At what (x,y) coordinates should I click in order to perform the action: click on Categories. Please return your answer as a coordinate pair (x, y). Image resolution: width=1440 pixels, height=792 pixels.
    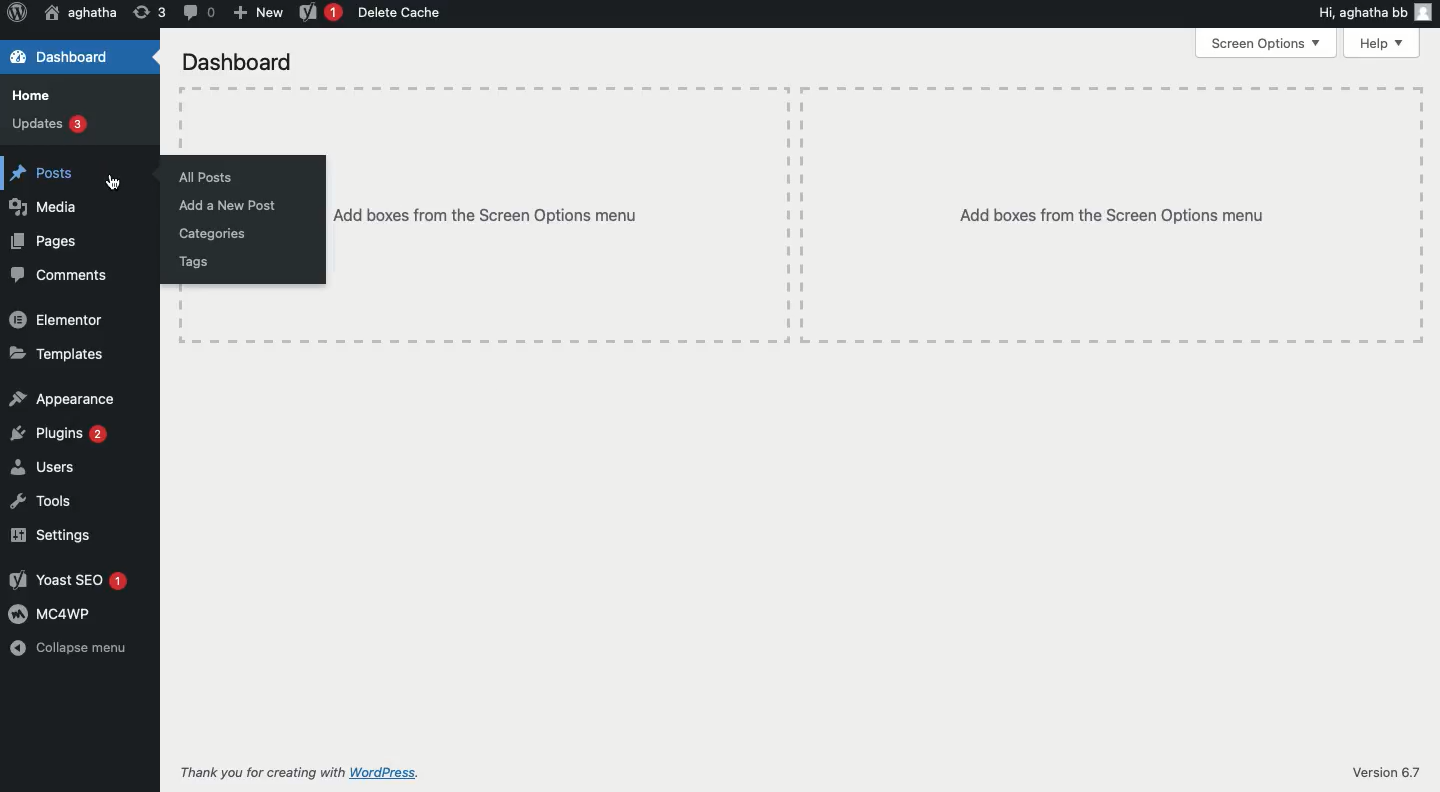
    Looking at the image, I should click on (208, 233).